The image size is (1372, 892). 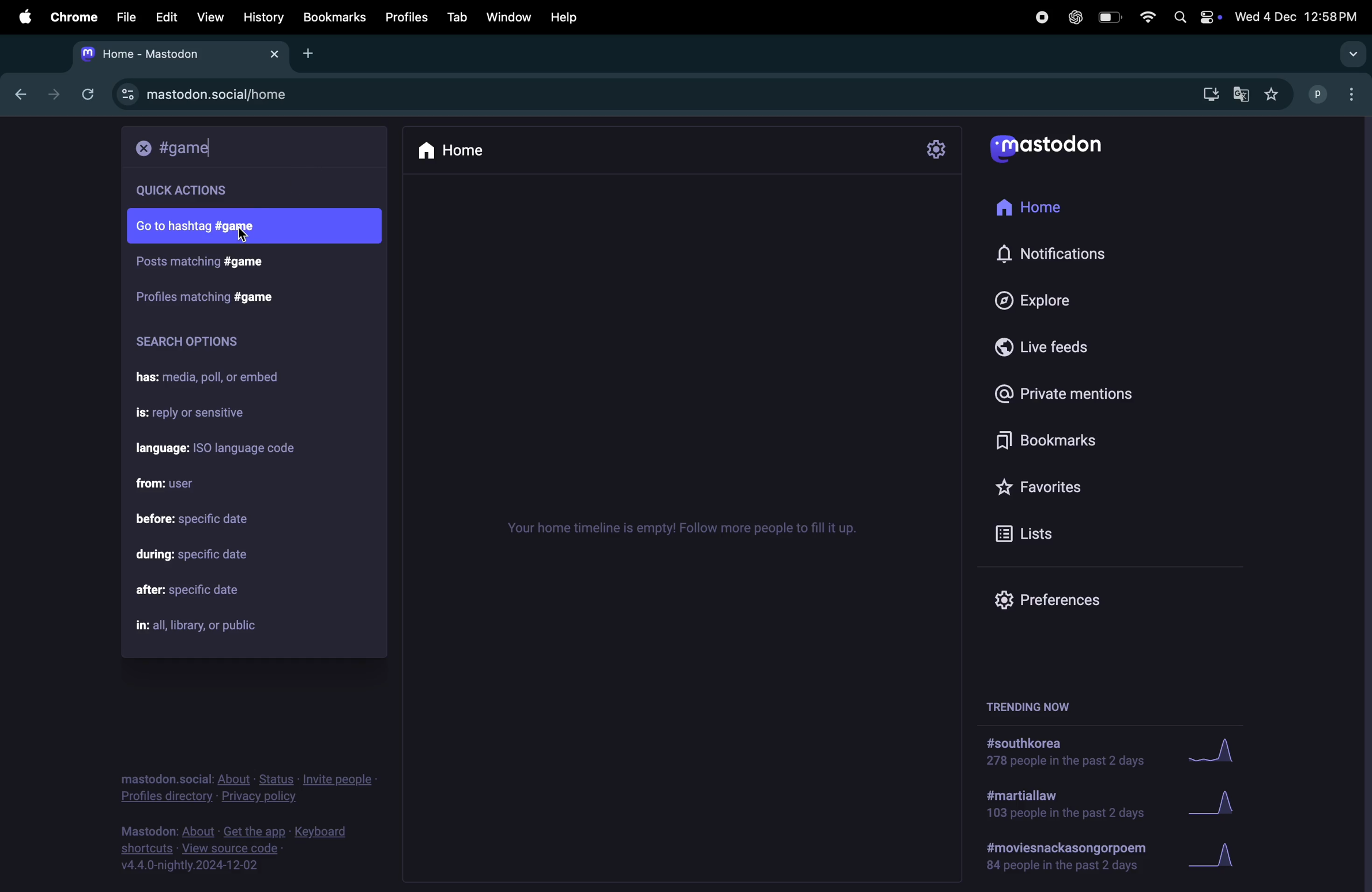 What do you see at coordinates (183, 54) in the screenshot?
I see `mastodon tab` at bounding box center [183, 54].